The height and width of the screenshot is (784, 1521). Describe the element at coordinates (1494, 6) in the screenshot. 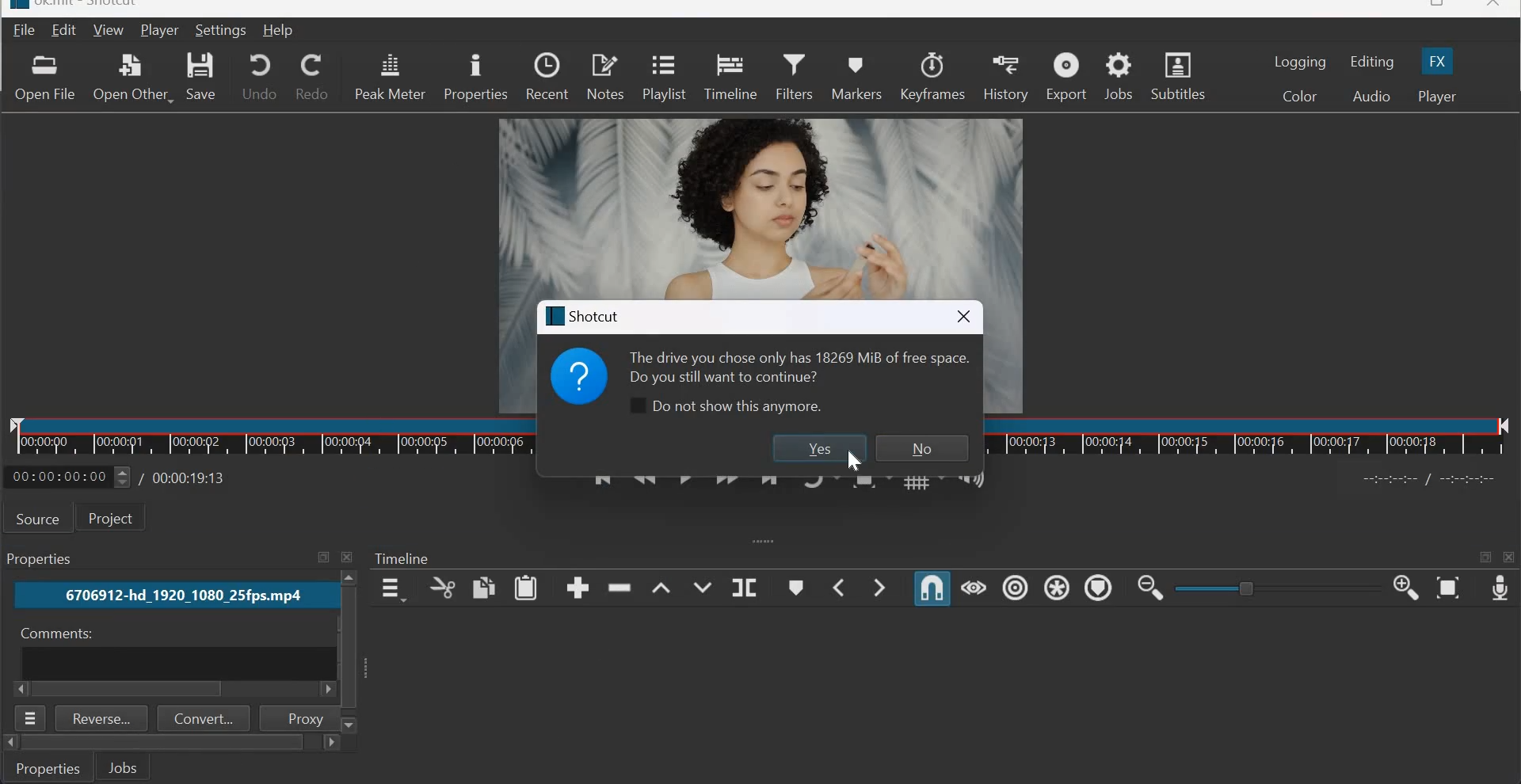

I see `close` at that location.